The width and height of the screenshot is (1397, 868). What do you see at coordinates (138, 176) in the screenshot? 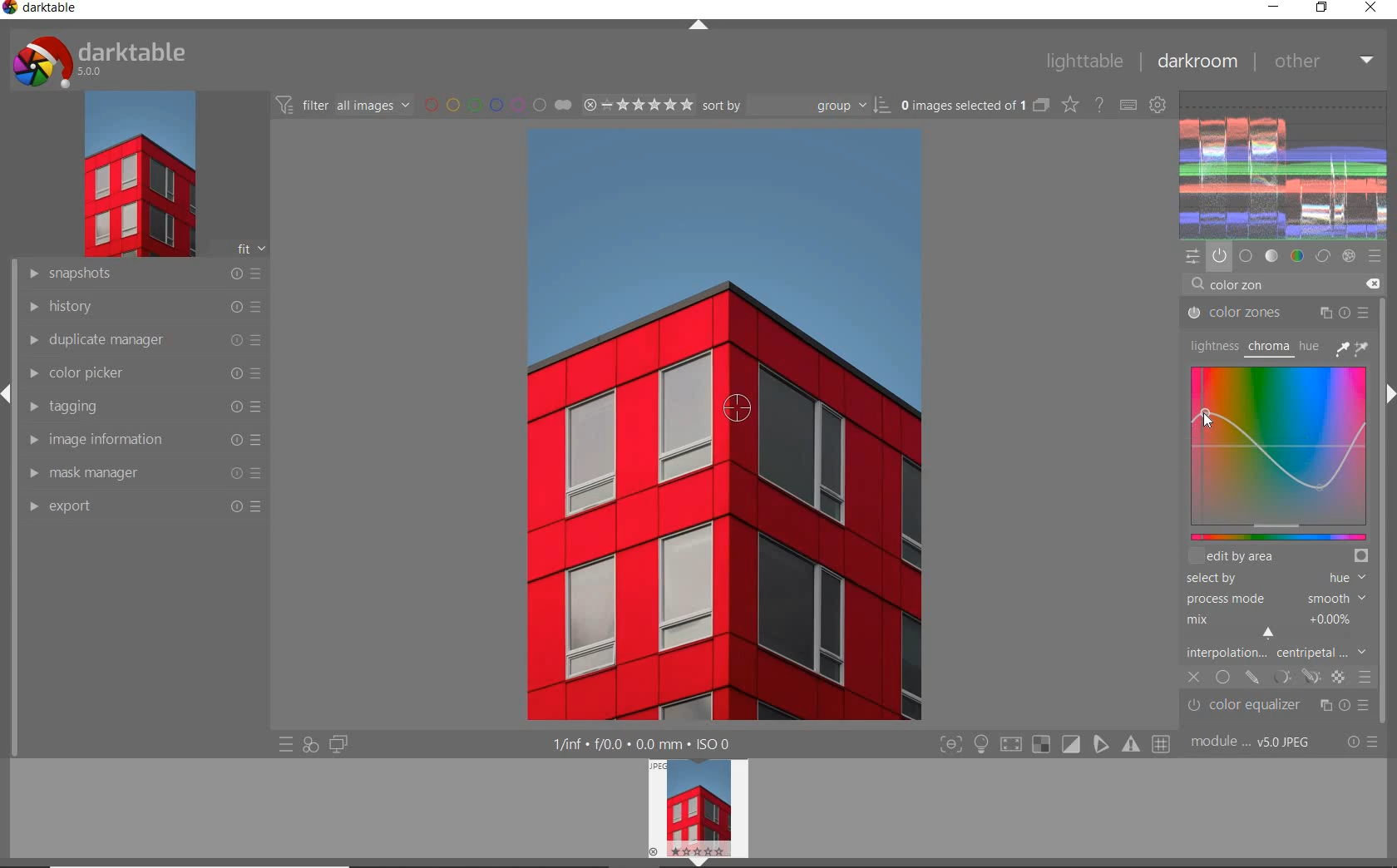
I see `image` at bounding box center [138, 176].